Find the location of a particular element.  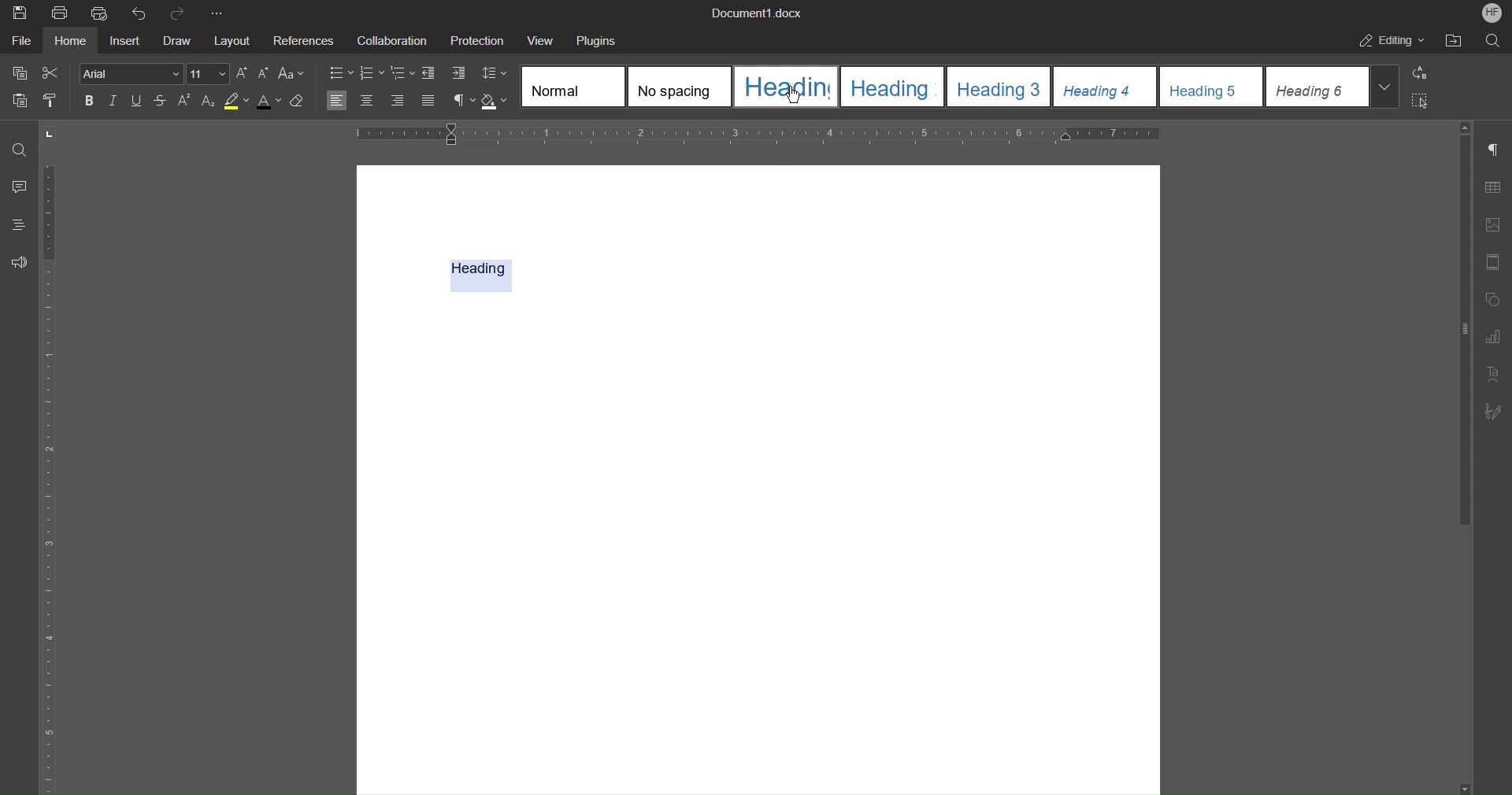

arial is located at coordinates (133, 73).